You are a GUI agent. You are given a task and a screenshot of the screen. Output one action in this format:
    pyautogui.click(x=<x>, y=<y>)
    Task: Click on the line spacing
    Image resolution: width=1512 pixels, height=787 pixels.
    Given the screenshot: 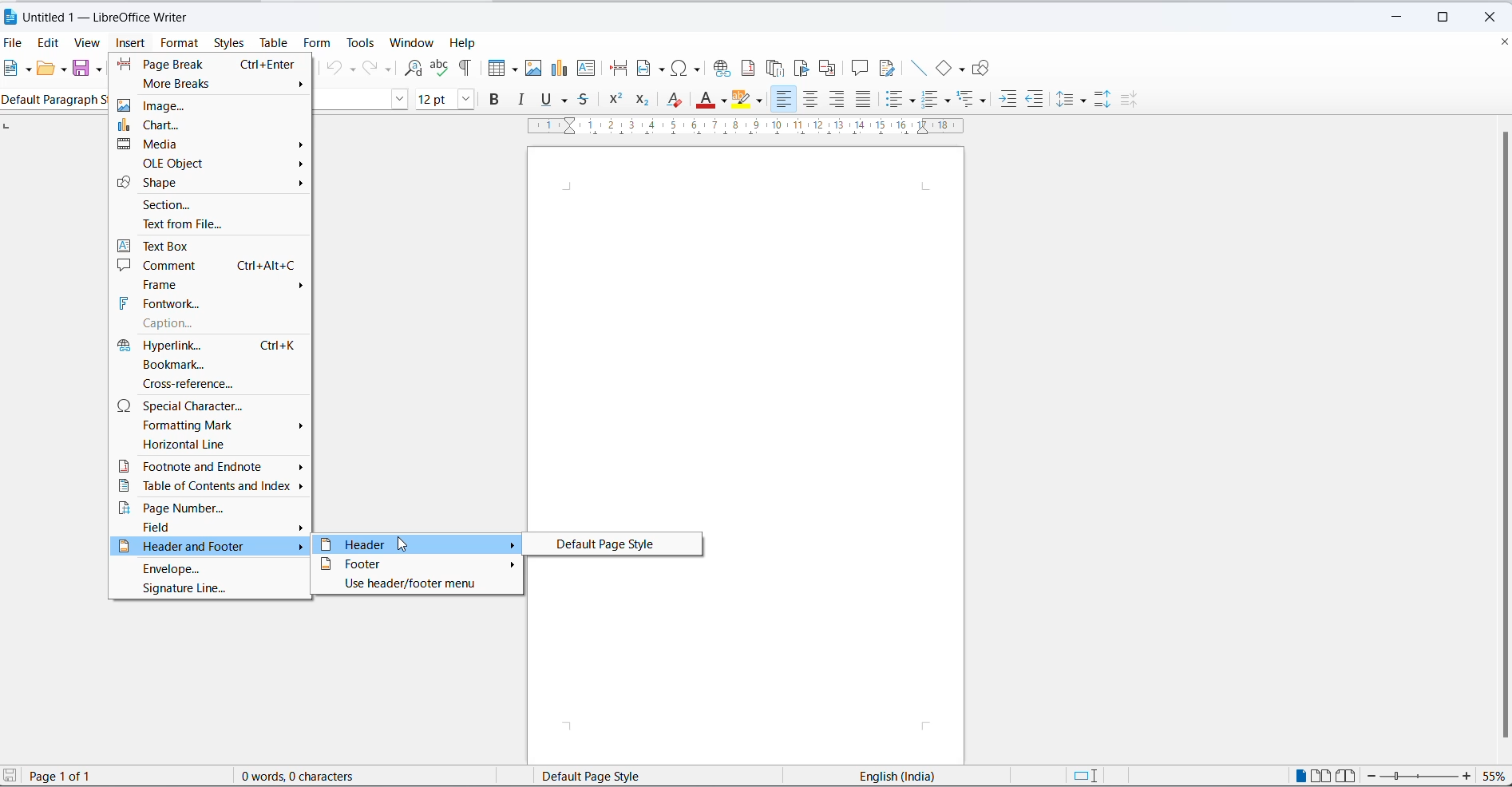 What is the action you would take?
    pyautogui.click(x=1068, y=101)
    